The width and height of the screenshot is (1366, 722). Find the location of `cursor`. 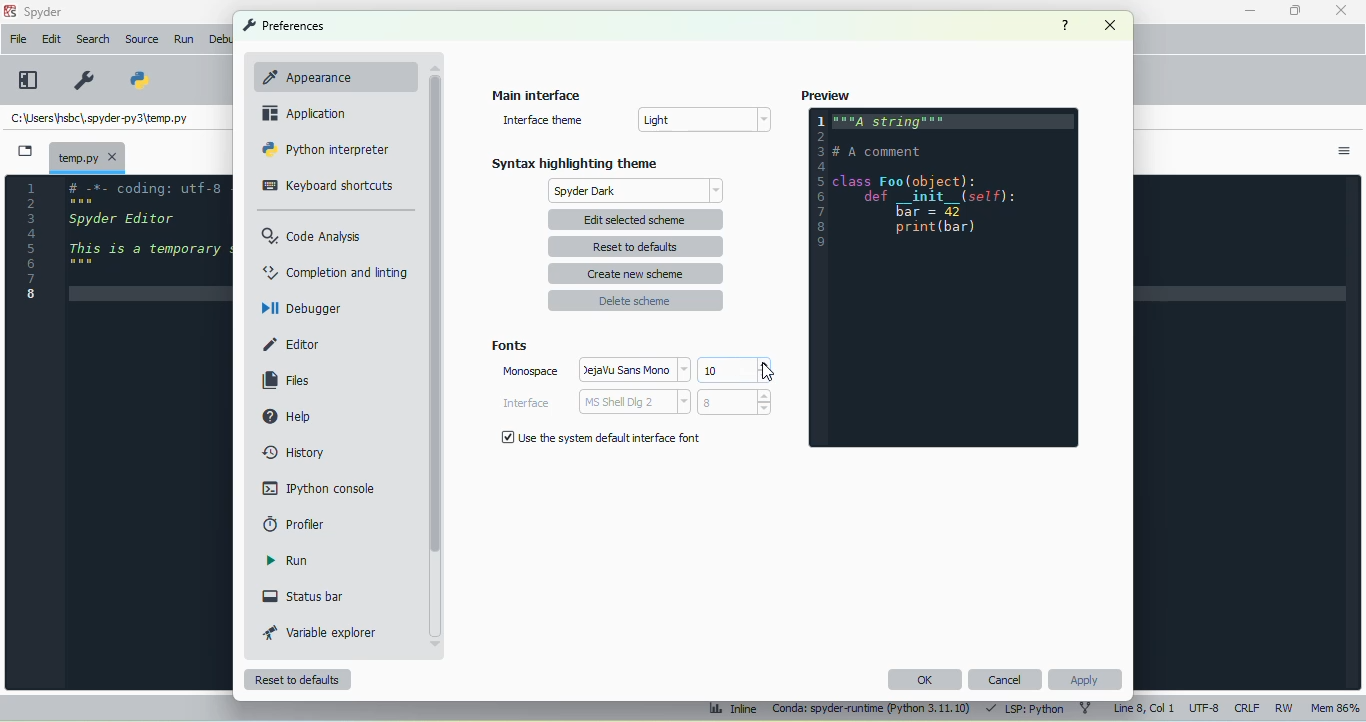

cursor is located at coordinates (767, 372).